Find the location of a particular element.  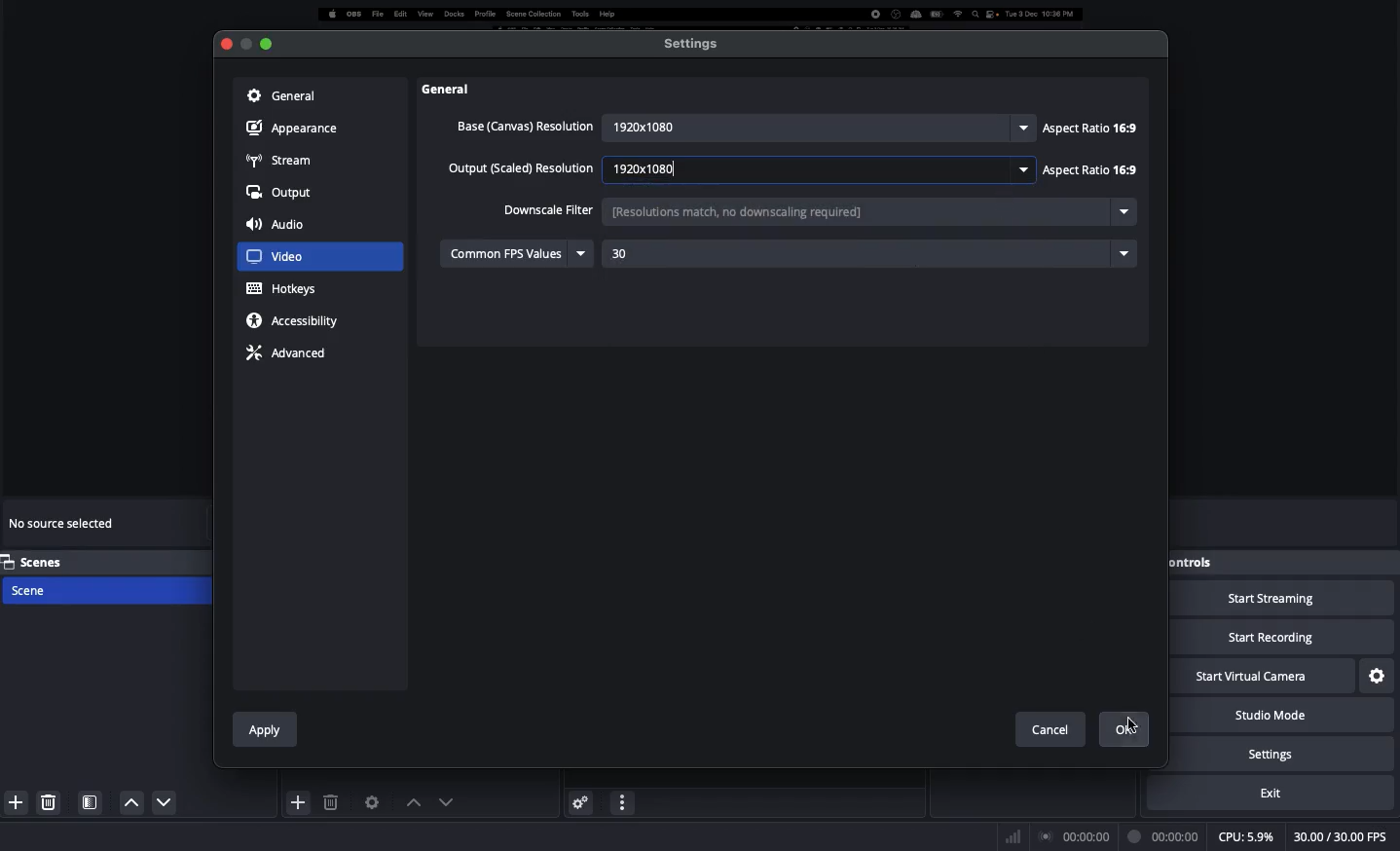

Delete is located at coordinates (333, 802).